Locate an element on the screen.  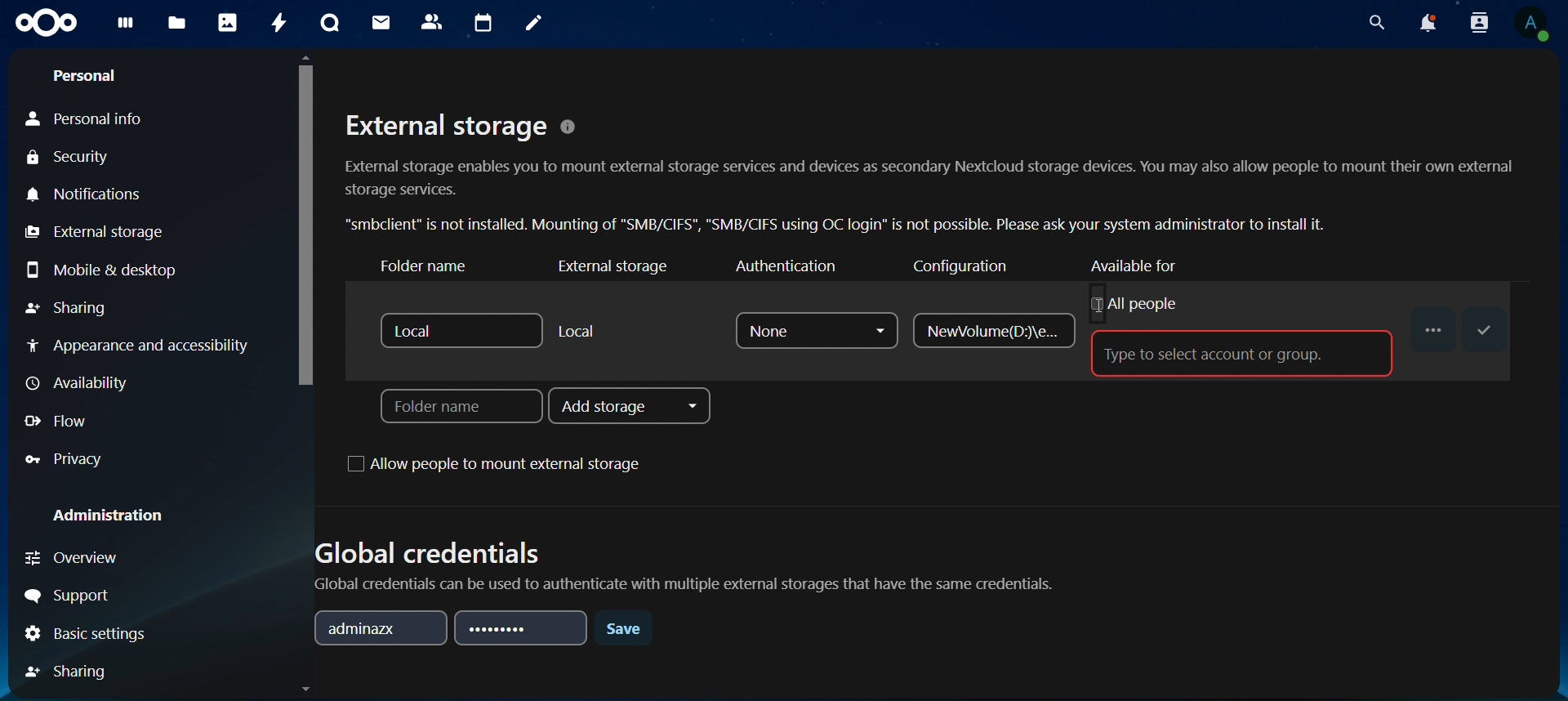
icon is located at coordinates (46, 21).